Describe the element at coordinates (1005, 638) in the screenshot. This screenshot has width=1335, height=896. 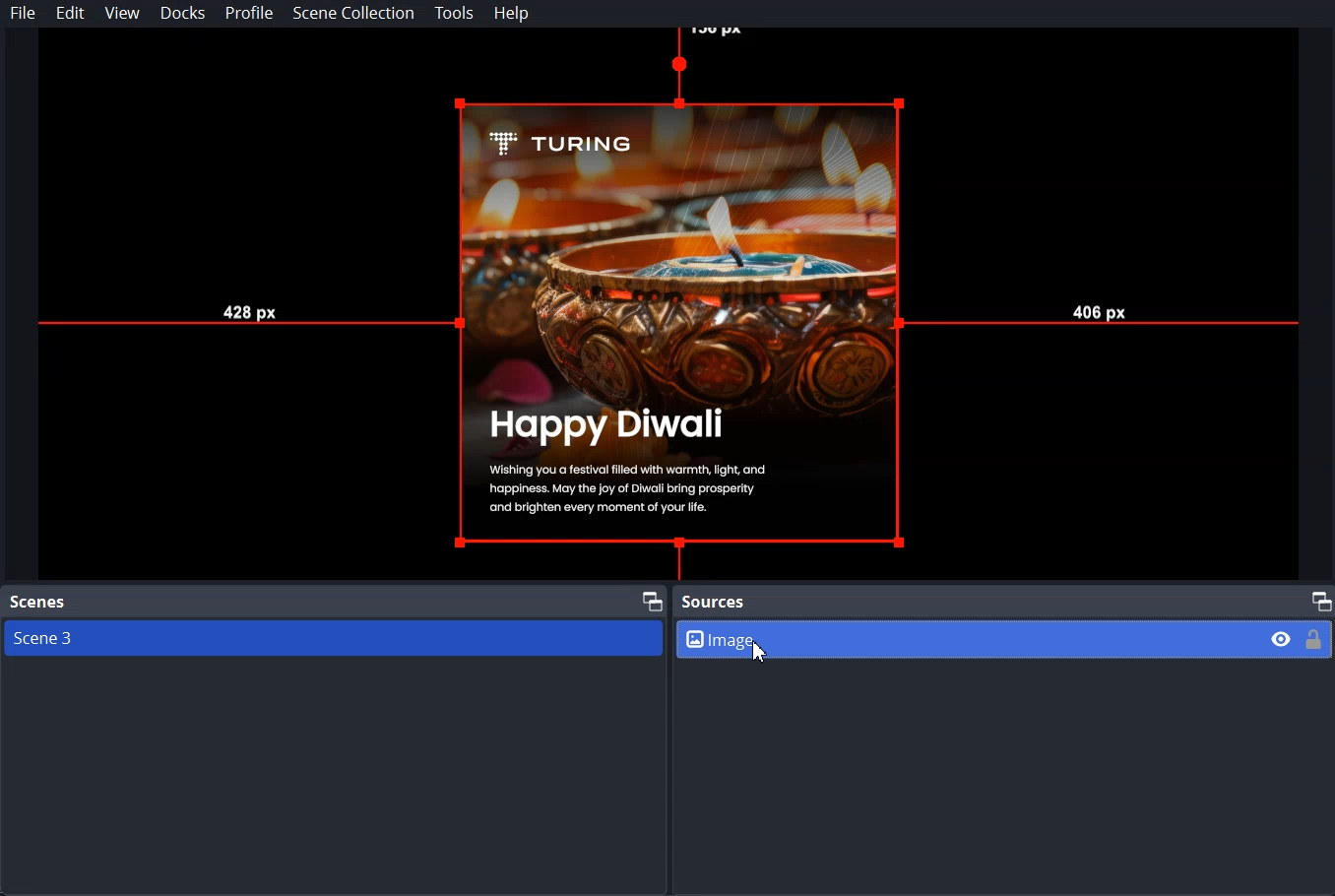
I see `Image` at that location.